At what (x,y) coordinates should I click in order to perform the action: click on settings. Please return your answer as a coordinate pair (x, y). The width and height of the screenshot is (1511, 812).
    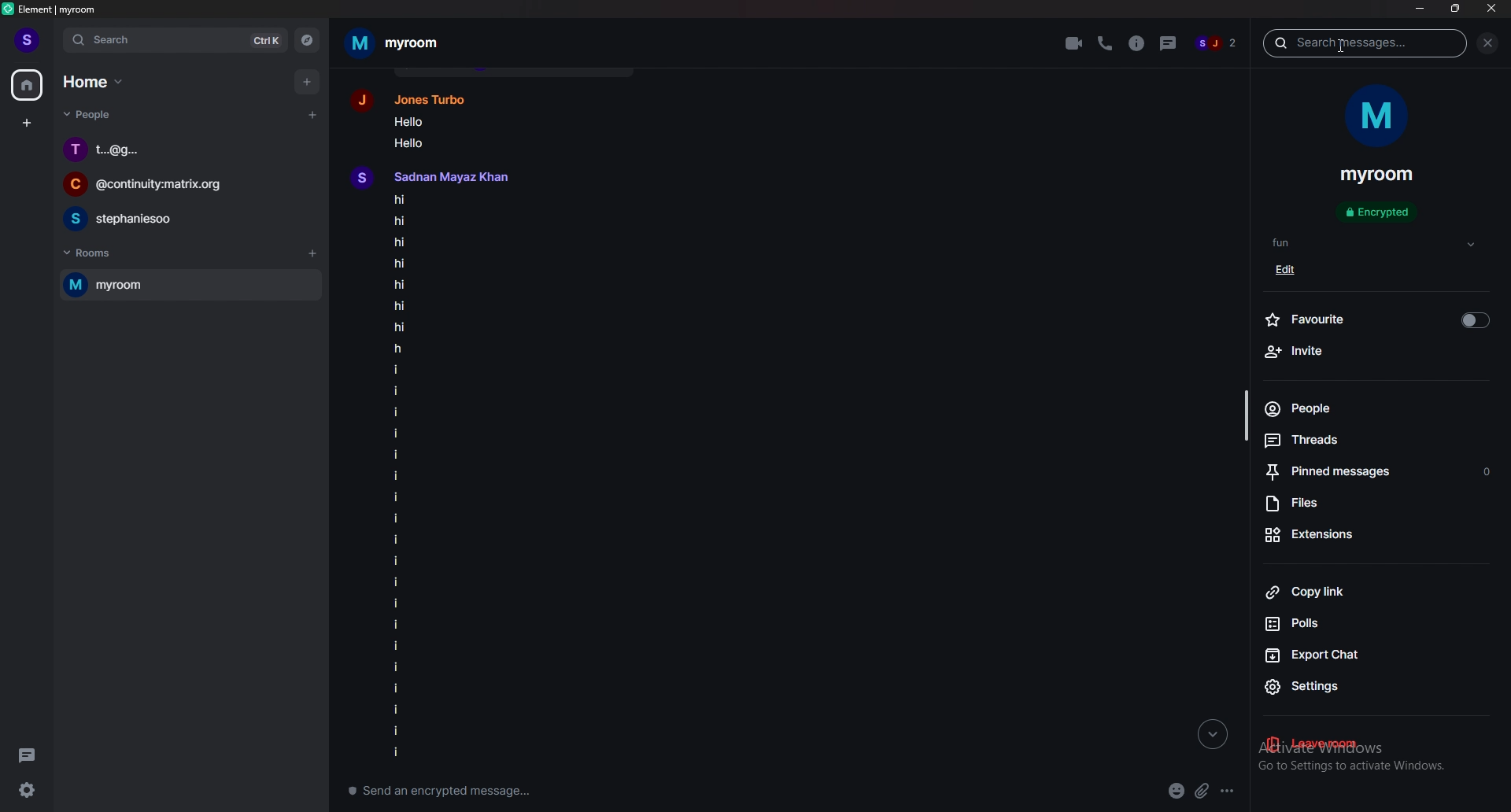
    Looking at the image, I should click on (31, 792).